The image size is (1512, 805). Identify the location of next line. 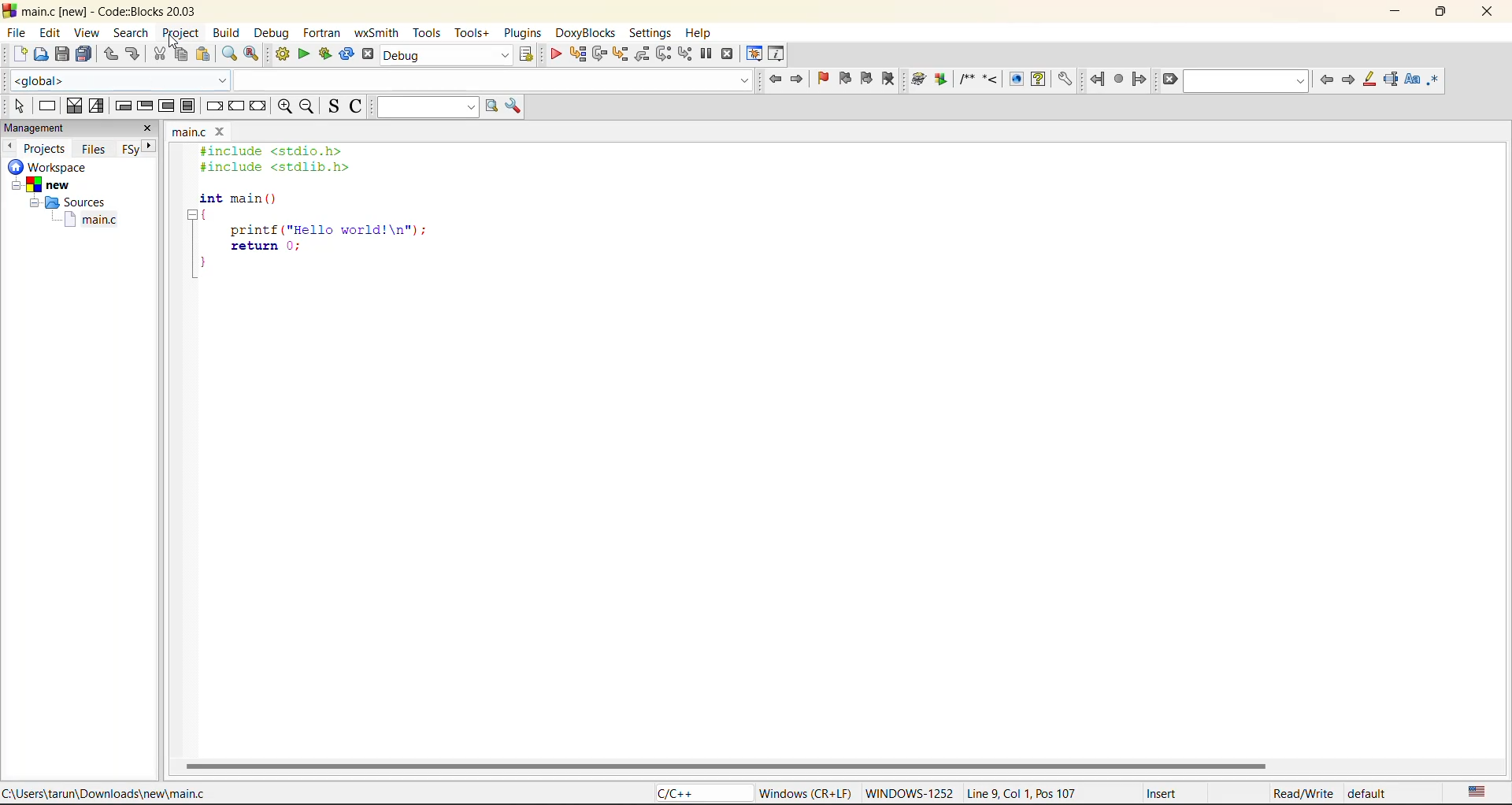
(599, 53).